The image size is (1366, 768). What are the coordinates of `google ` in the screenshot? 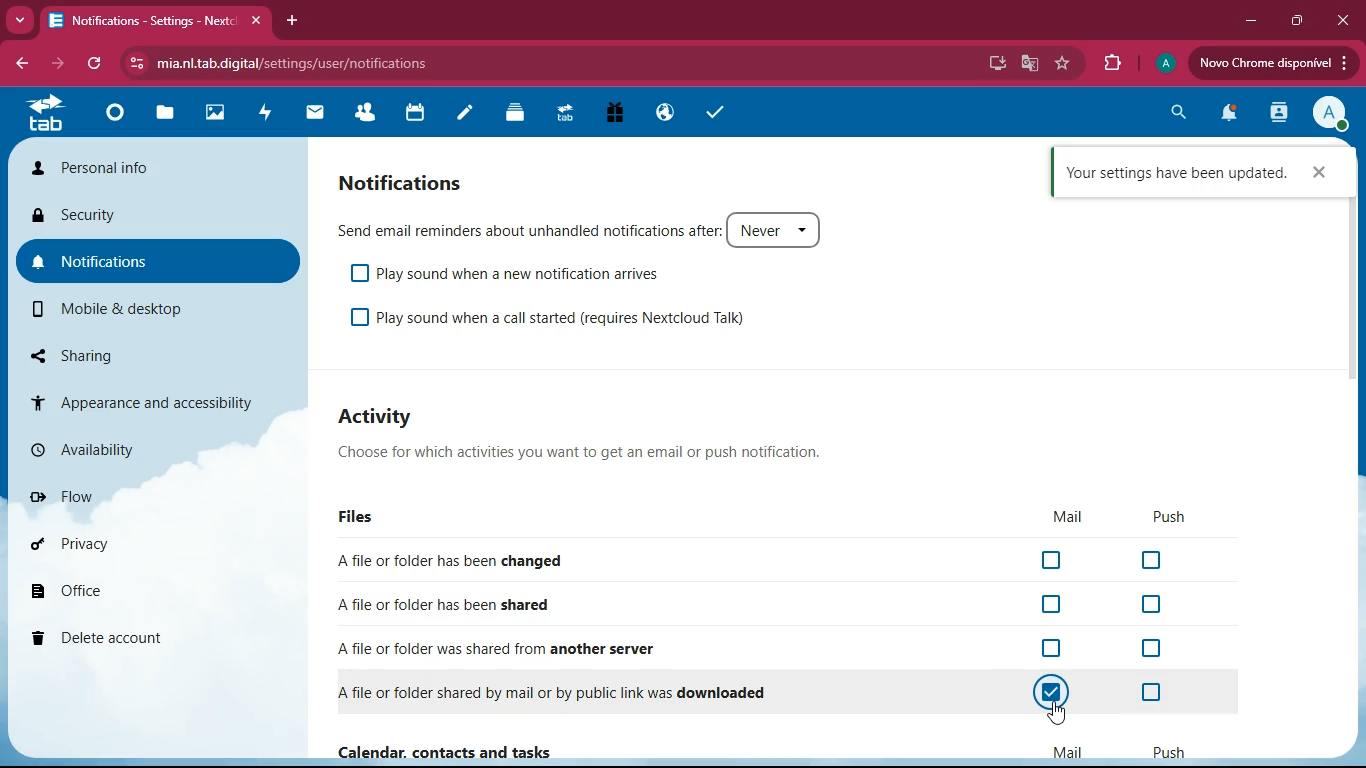 It's located at (1025, 64).